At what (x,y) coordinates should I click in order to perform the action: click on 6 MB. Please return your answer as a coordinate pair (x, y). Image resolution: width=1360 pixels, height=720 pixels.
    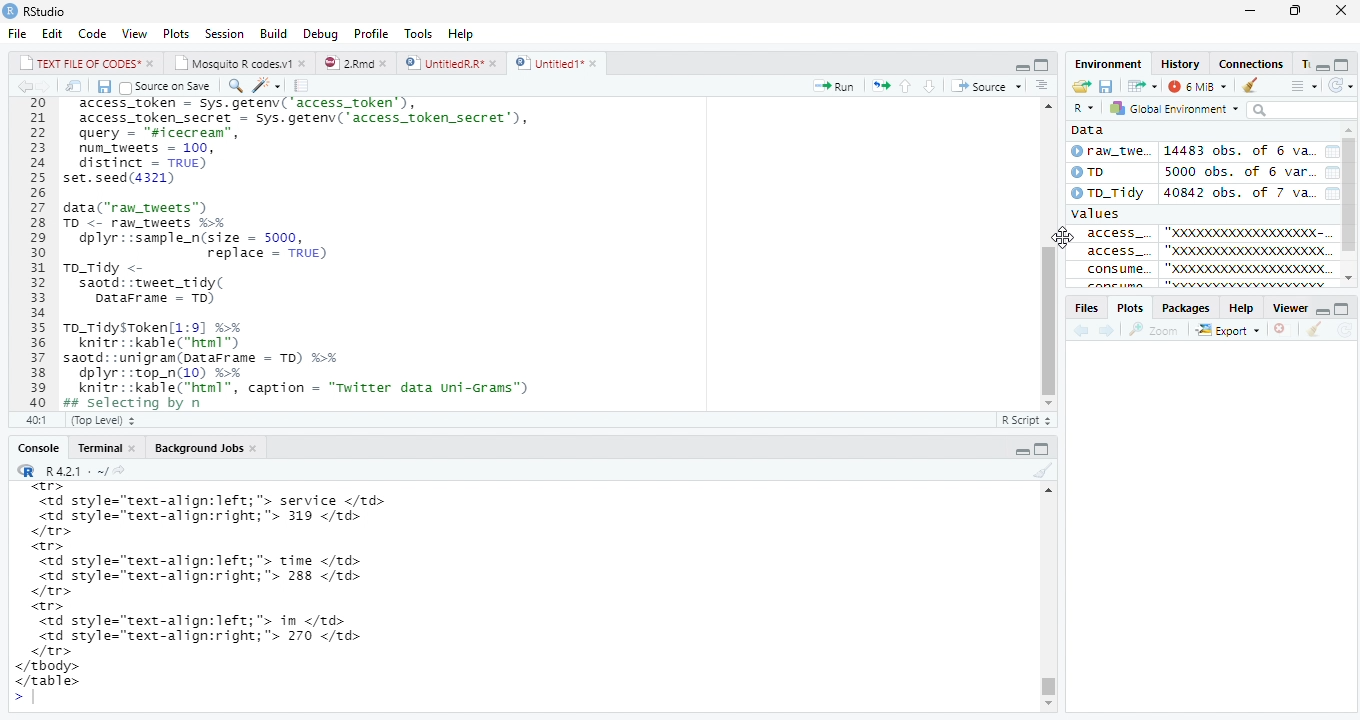
    Looking at the image, I should click on (1196, 85).